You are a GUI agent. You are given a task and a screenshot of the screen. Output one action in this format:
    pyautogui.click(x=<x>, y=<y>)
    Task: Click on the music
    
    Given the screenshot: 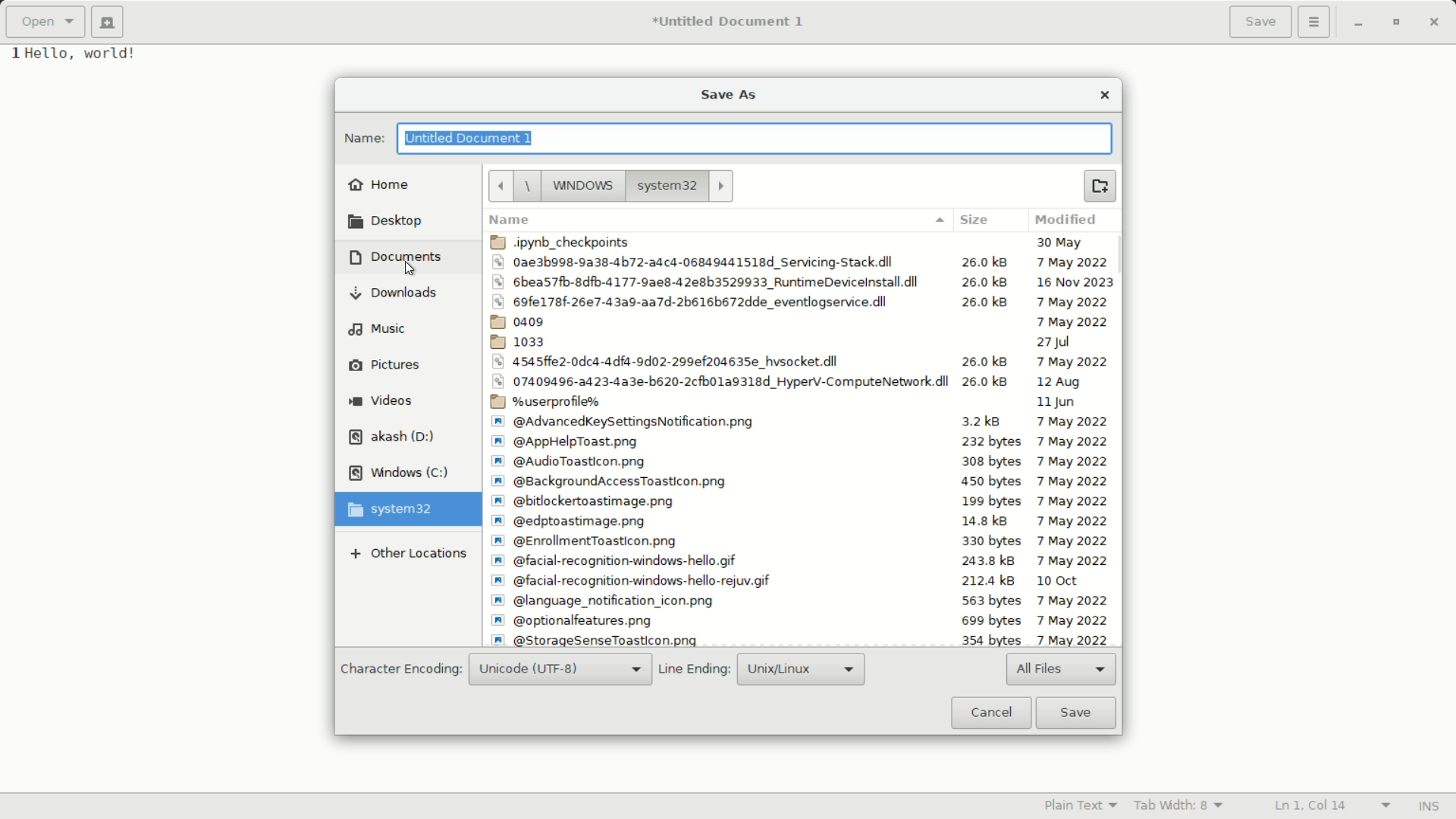 What is the action you would take?
    pyautogui.click(x=376, y=329)
    